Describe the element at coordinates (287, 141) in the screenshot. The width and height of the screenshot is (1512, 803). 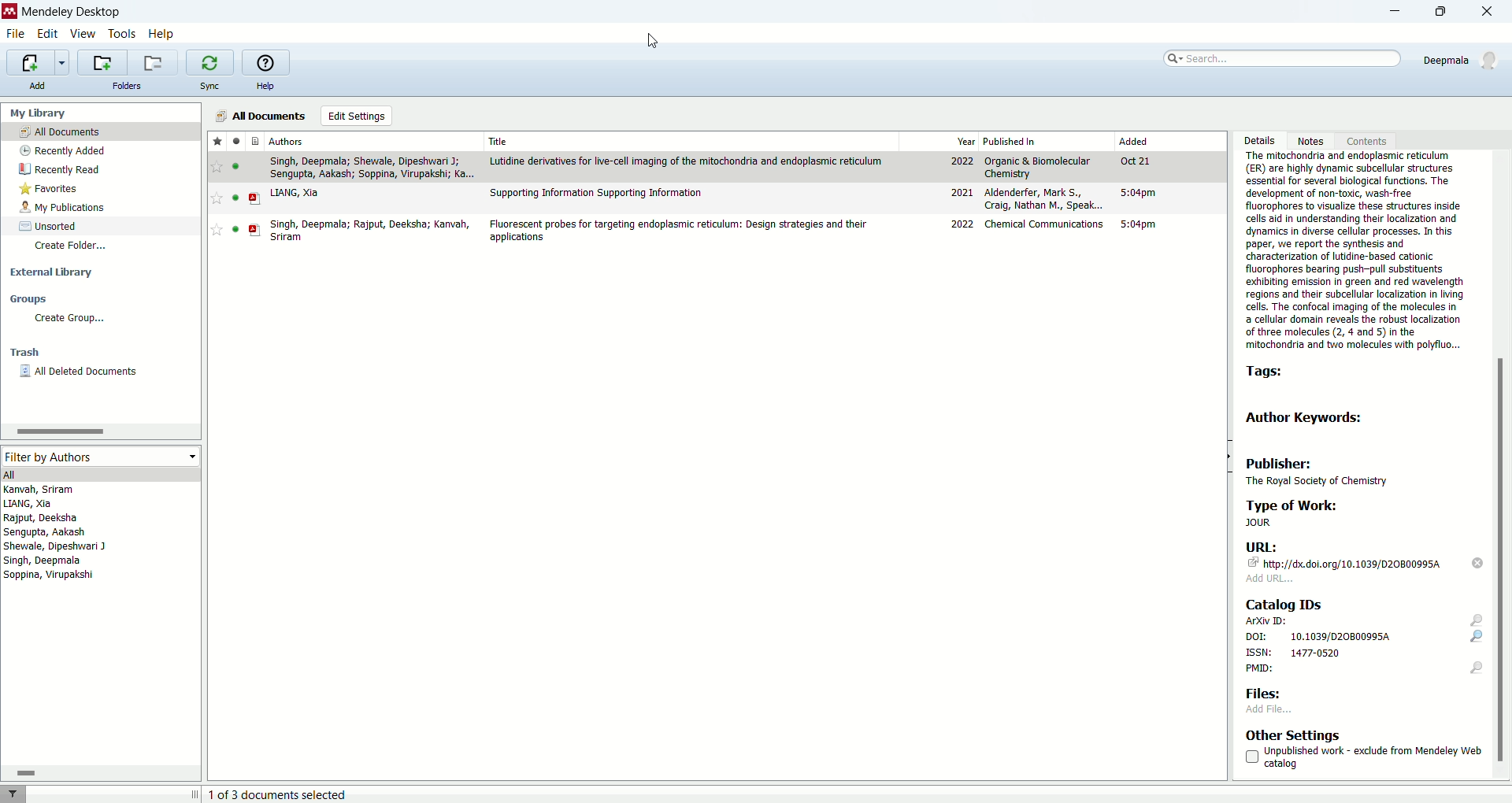
I see `authors` at that location.